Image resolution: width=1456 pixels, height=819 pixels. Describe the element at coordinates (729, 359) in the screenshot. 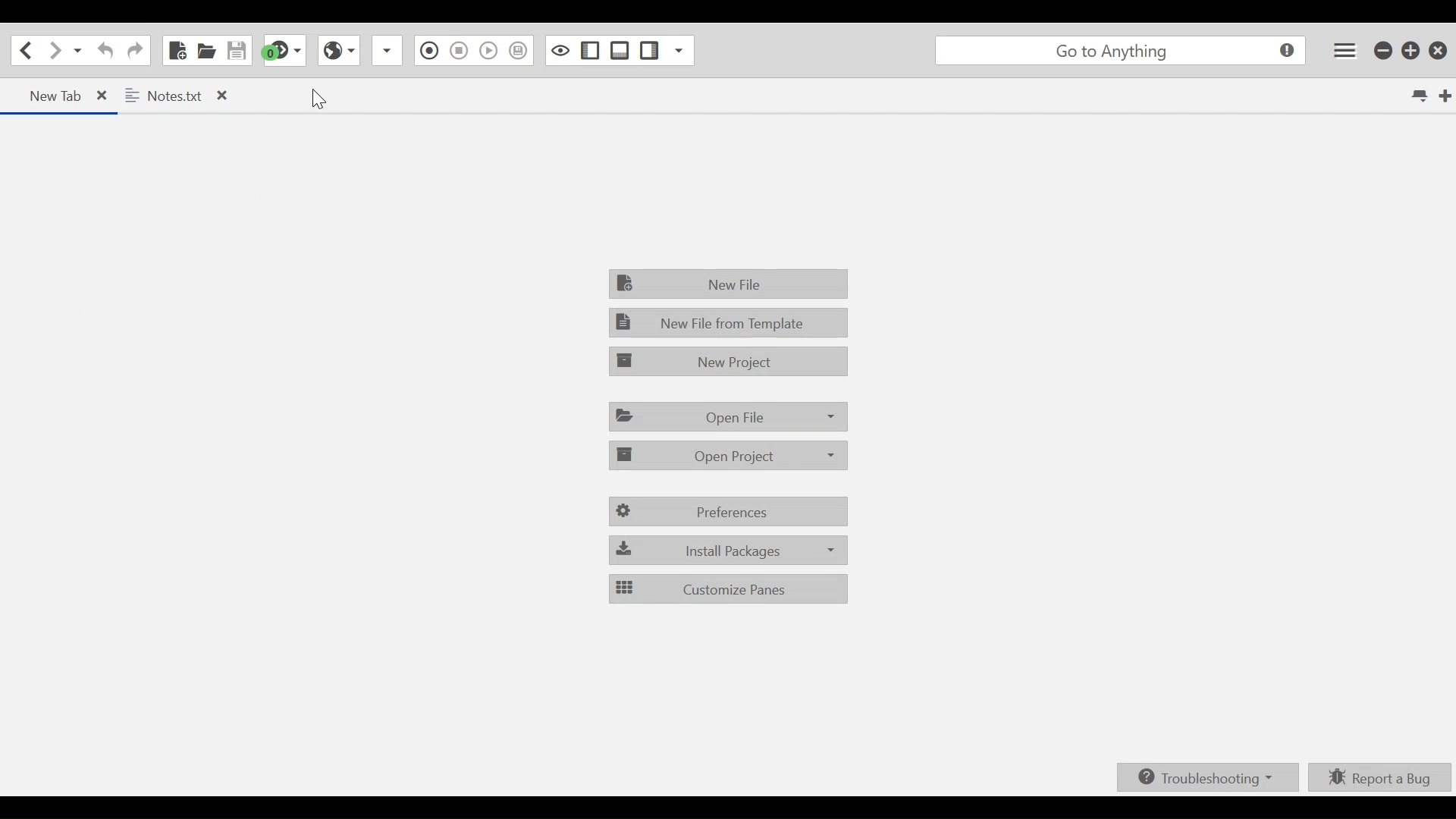

I see `New Project` at that location.